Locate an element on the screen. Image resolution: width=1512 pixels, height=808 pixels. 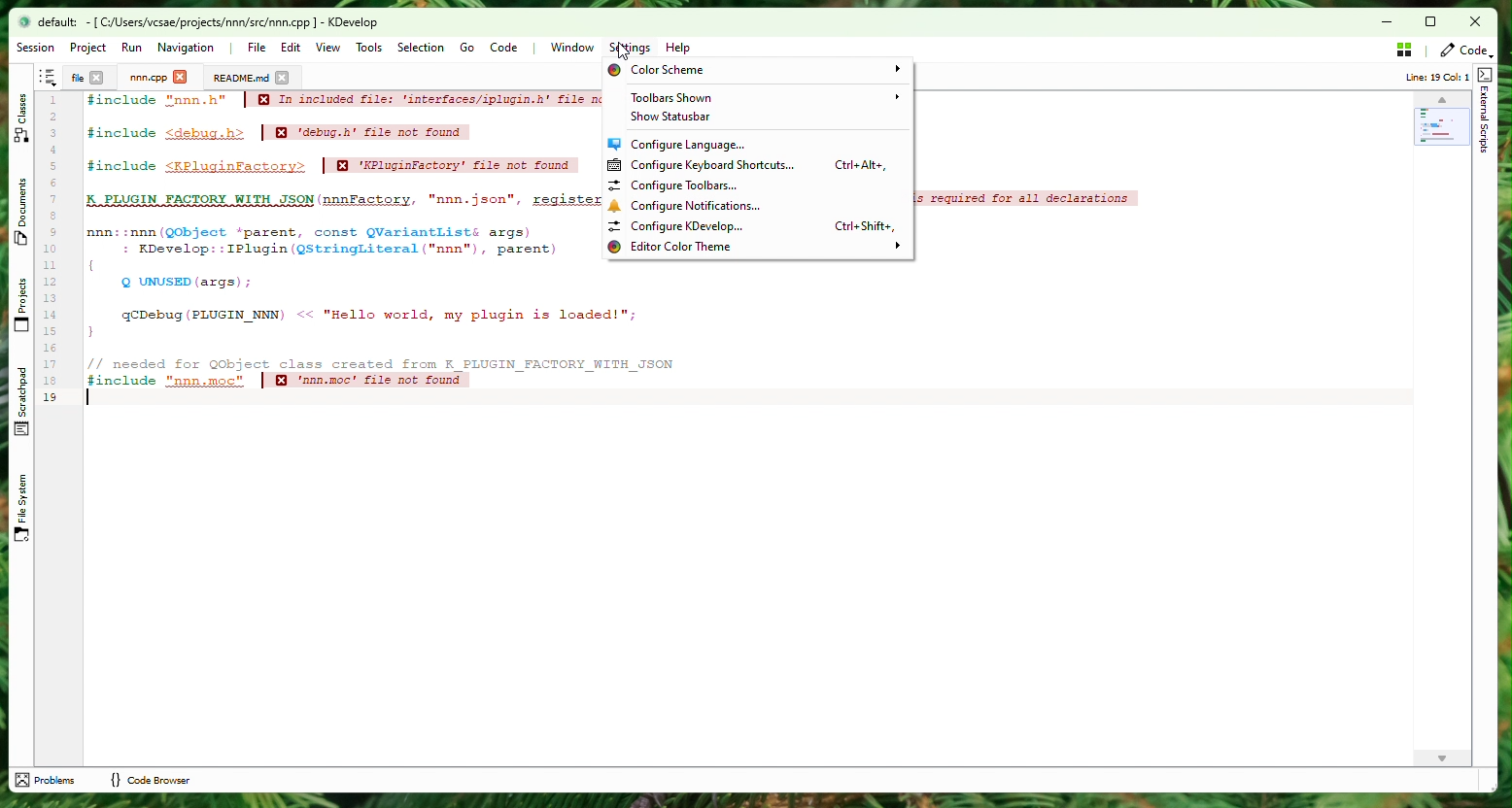
Minimap is located at coordinates (1443, 118).